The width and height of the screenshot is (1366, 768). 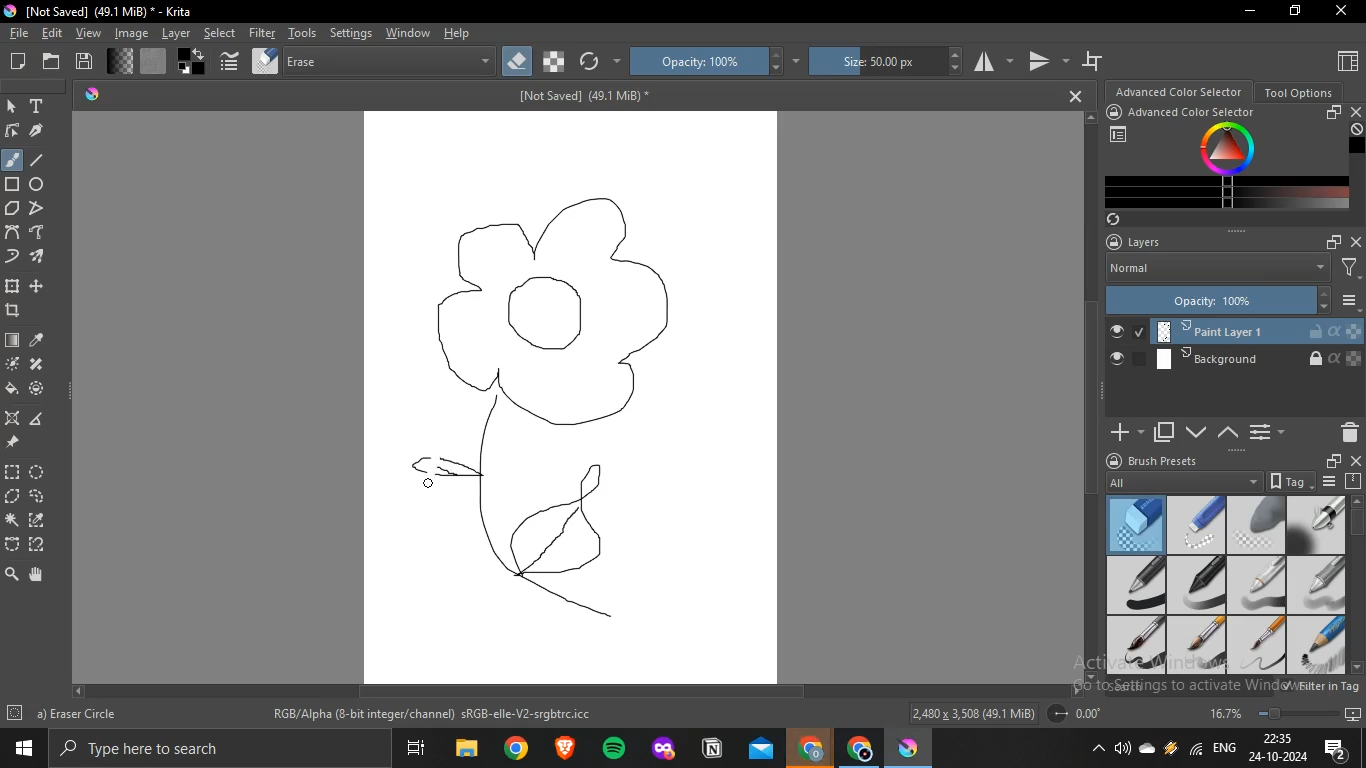 I want to click on Application, so click(x=516, y=749).